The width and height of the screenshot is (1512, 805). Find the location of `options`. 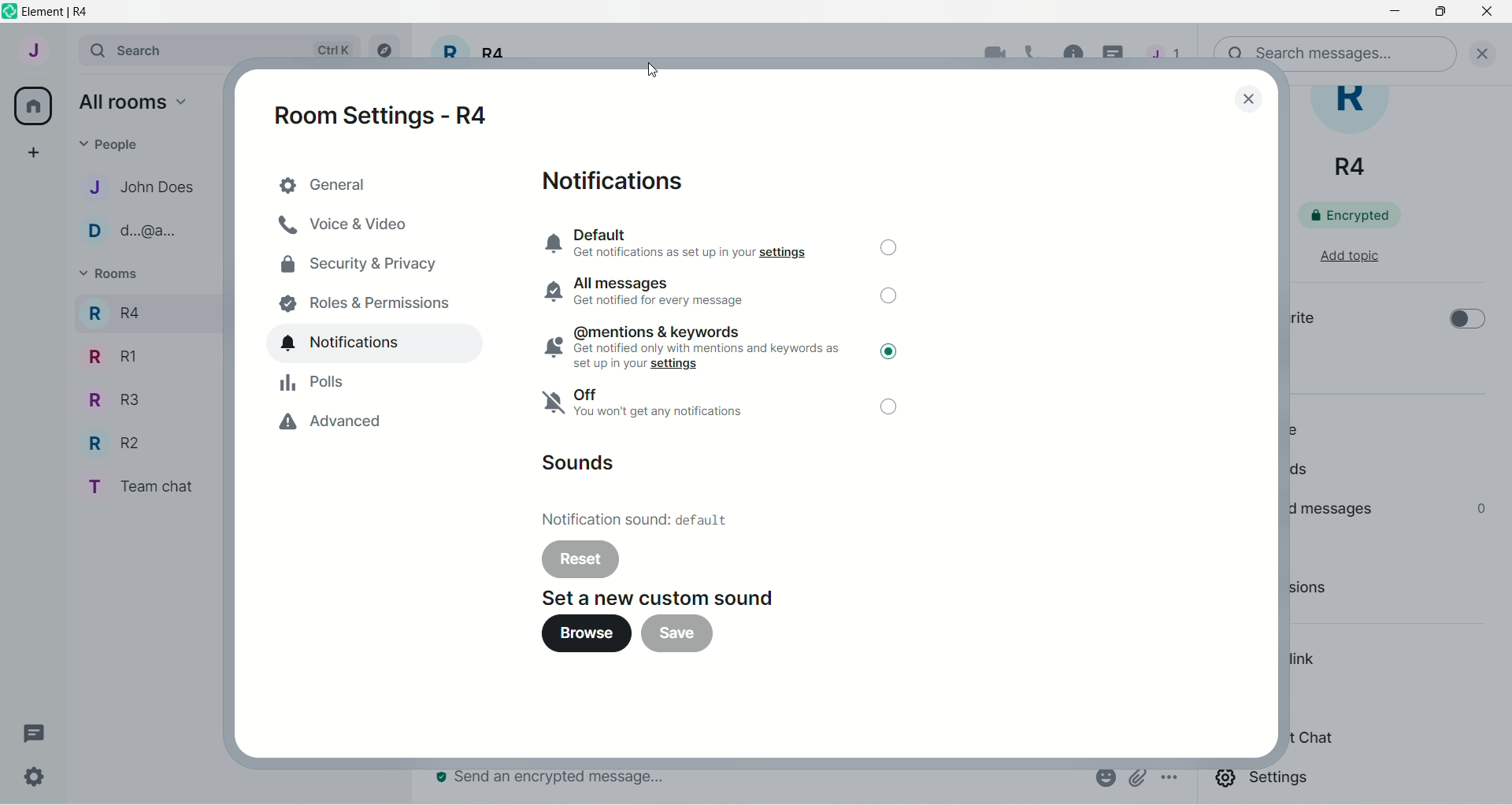

options is located at coordinates (1172, 779).